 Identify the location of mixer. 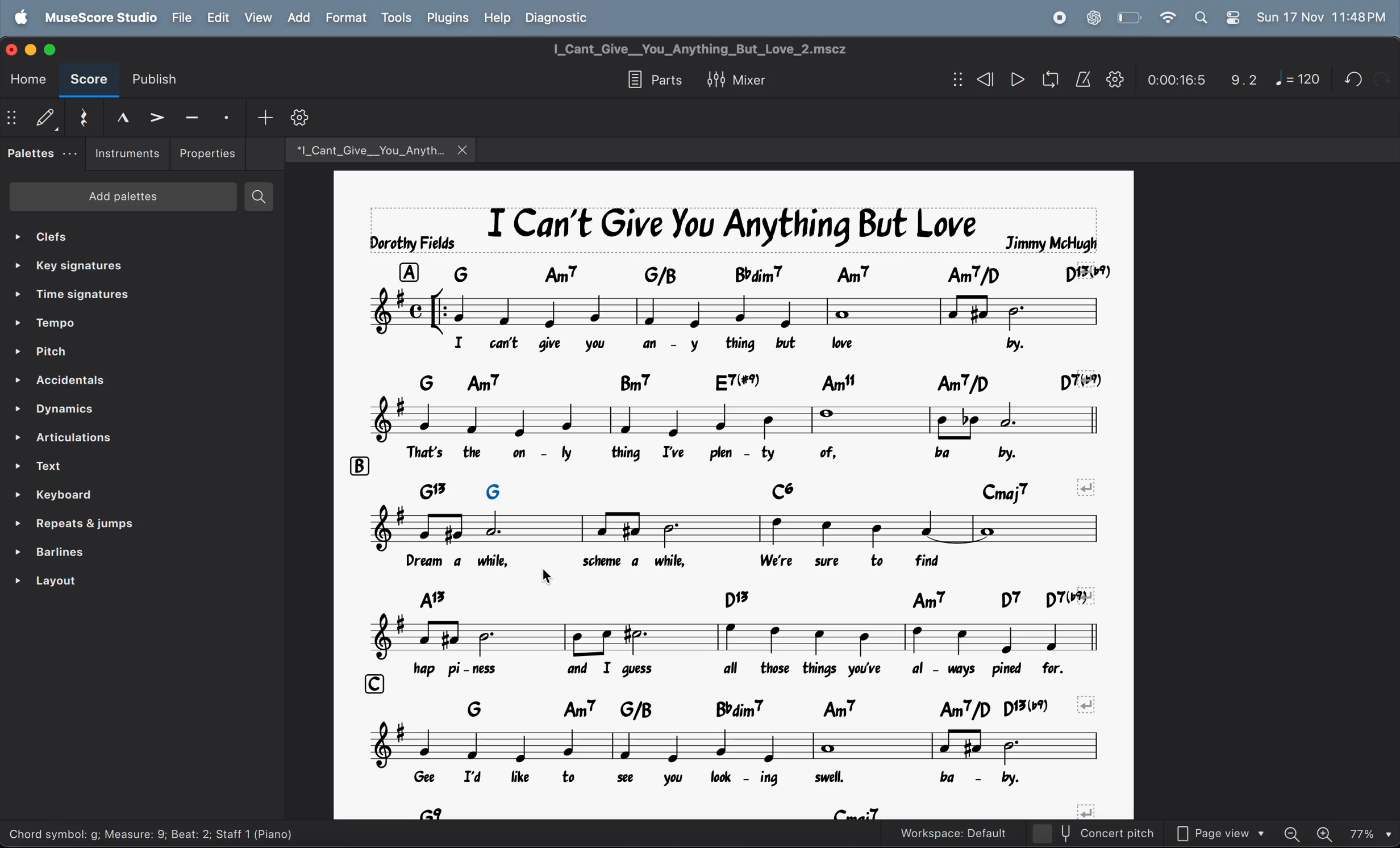
(736, 81).